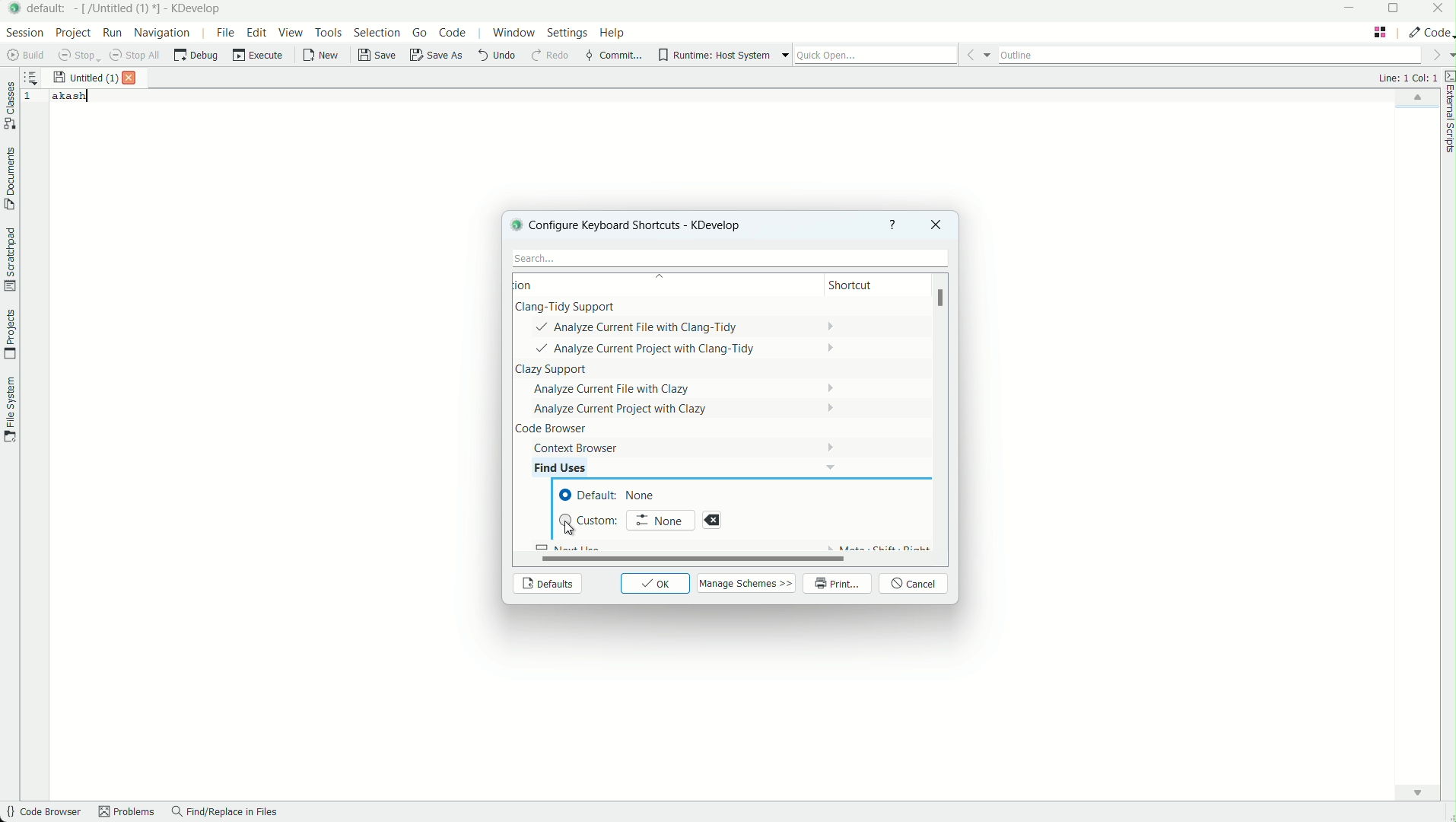  I want to click on session menu, so click(23, 32).